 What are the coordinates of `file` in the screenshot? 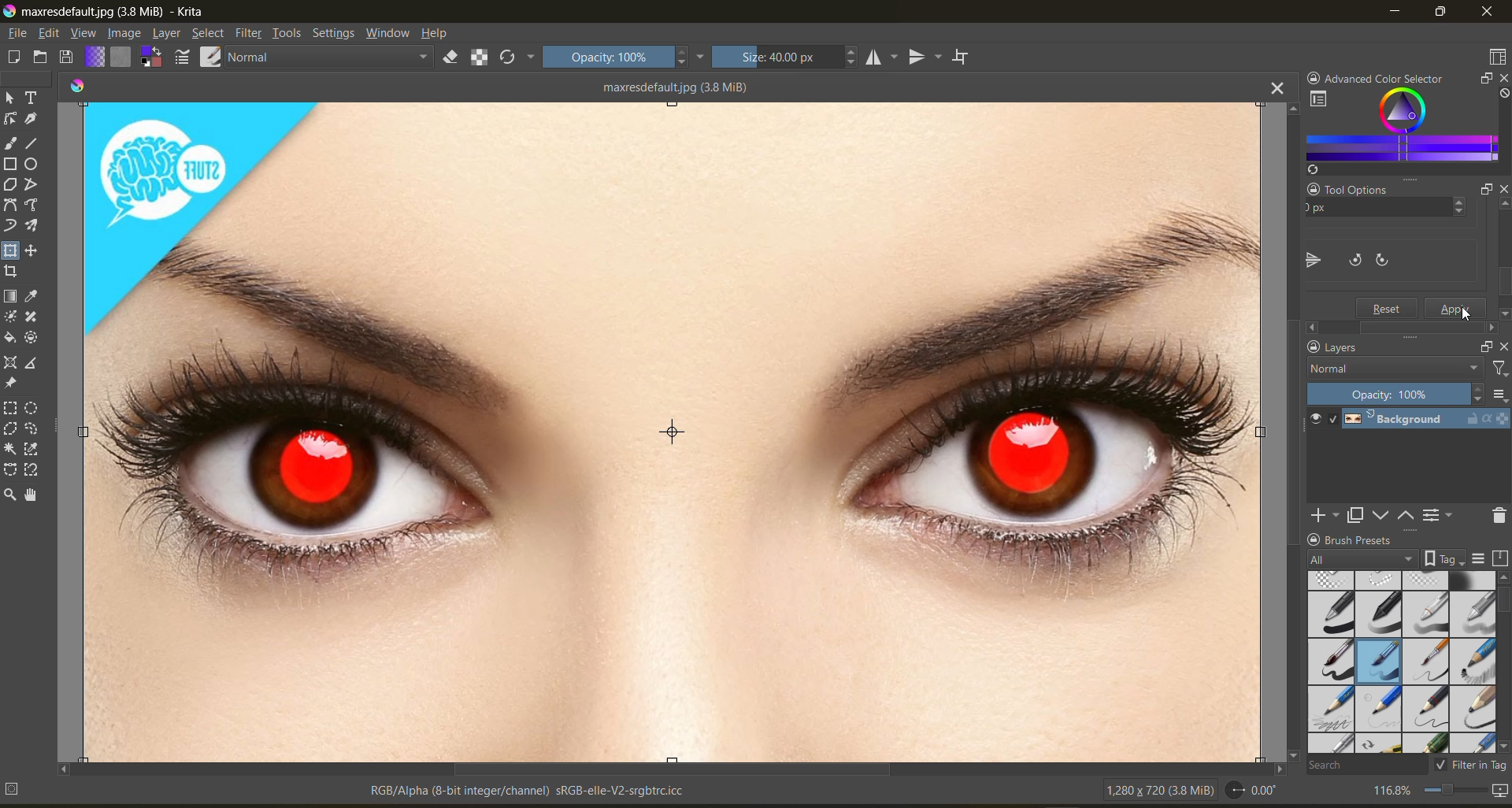 It's located at (20, 33).